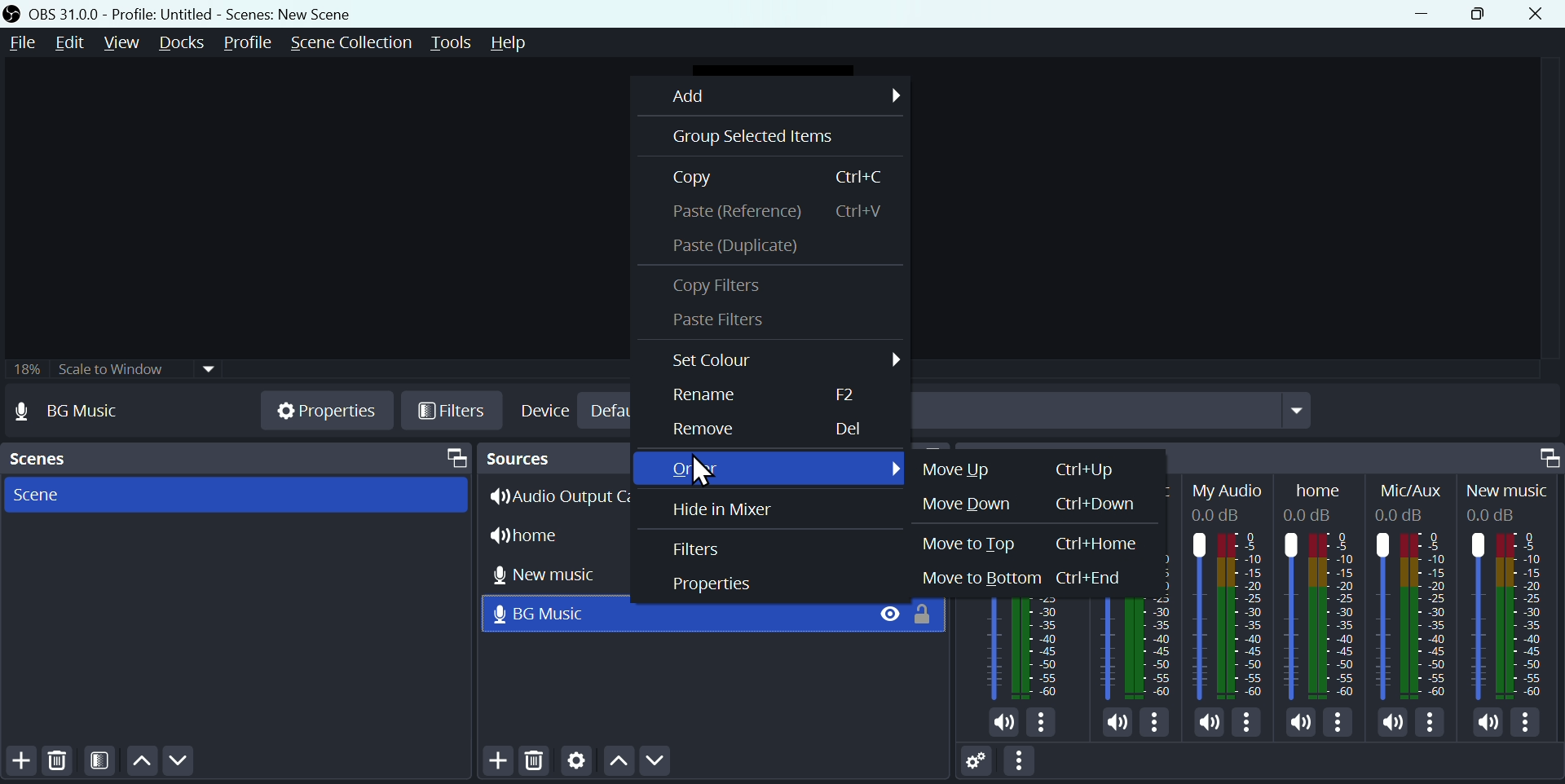 The image size is (1565, 784). Describe the element at coordinates (1025, 647) in the screenshot. I see `Audio Output` at that location.